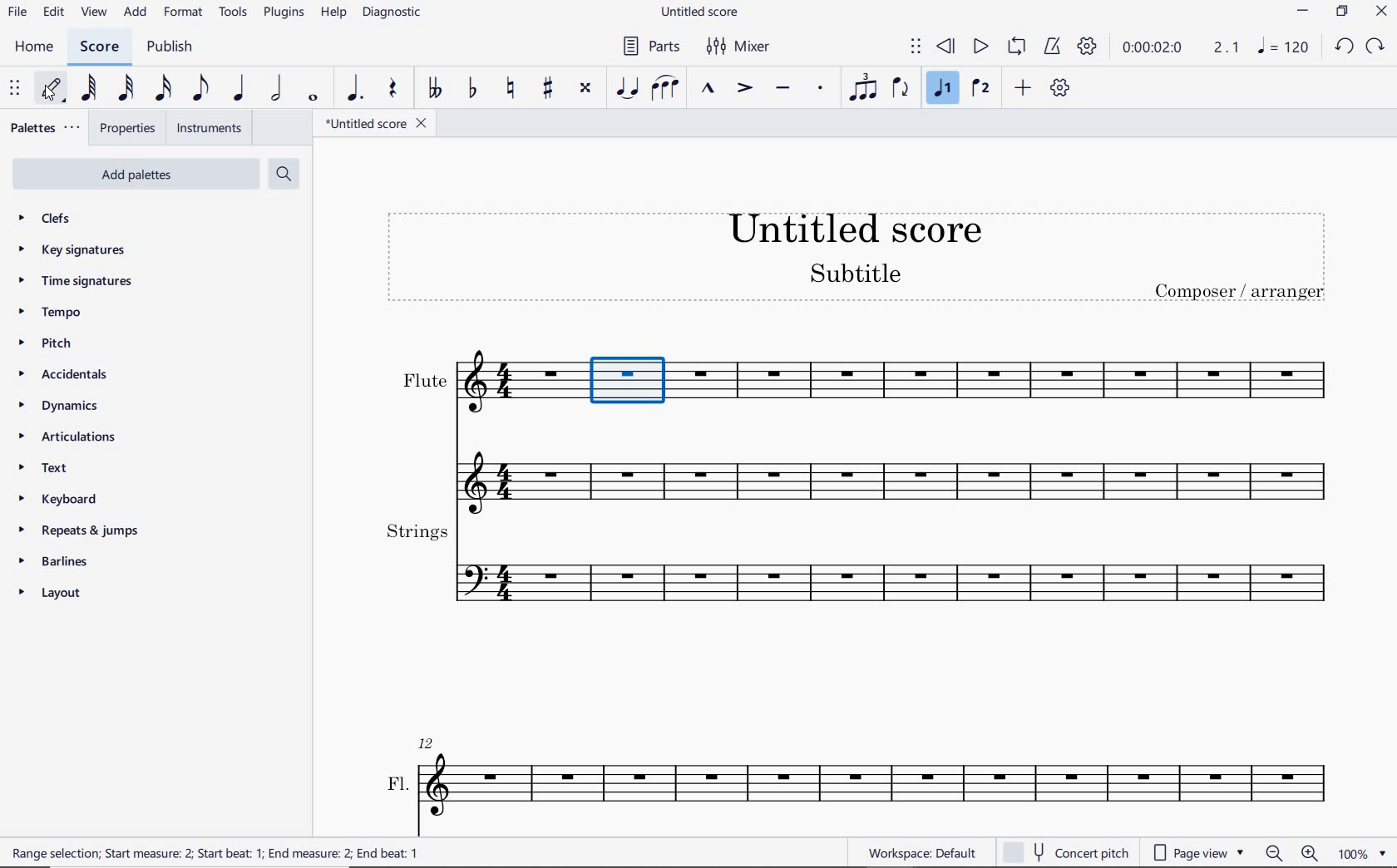 This screenshot has height=868, width=1397. I want to click on TOGGLE NATURAL, so click(512, 87).